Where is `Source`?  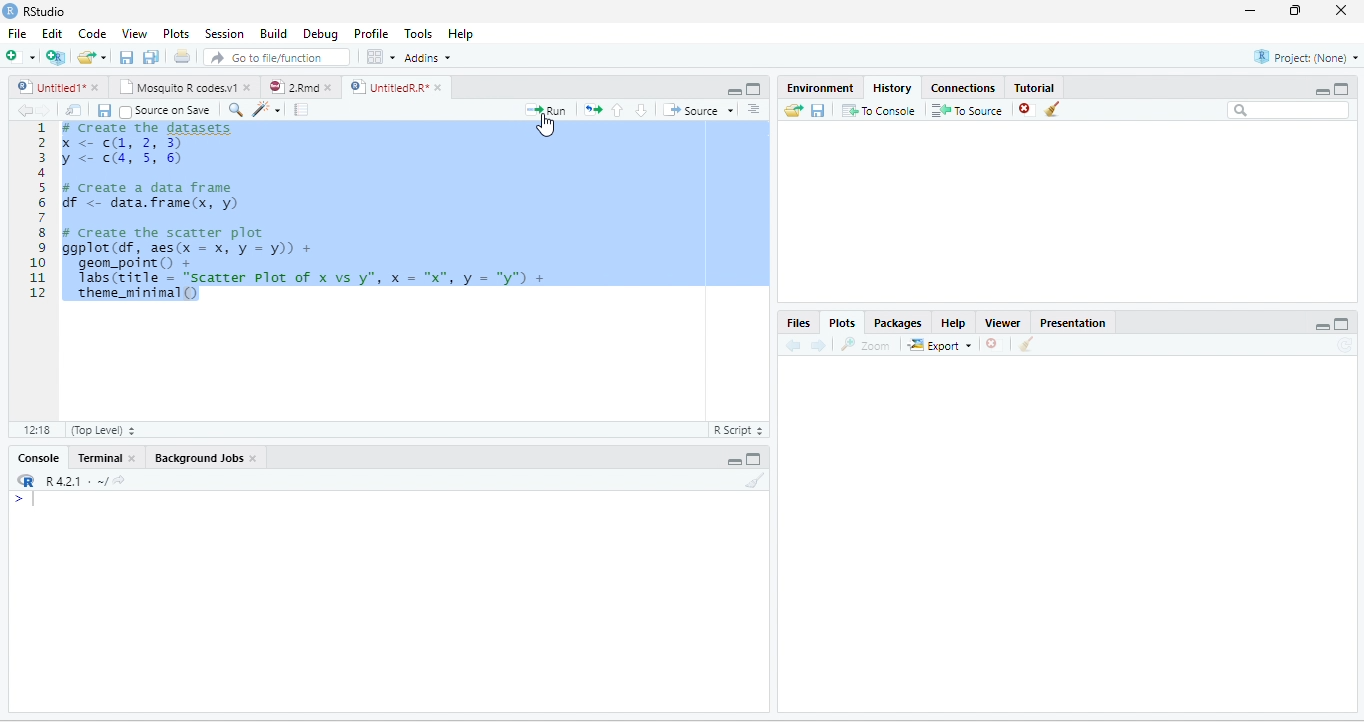 Source is located at coordinates (697, 110).